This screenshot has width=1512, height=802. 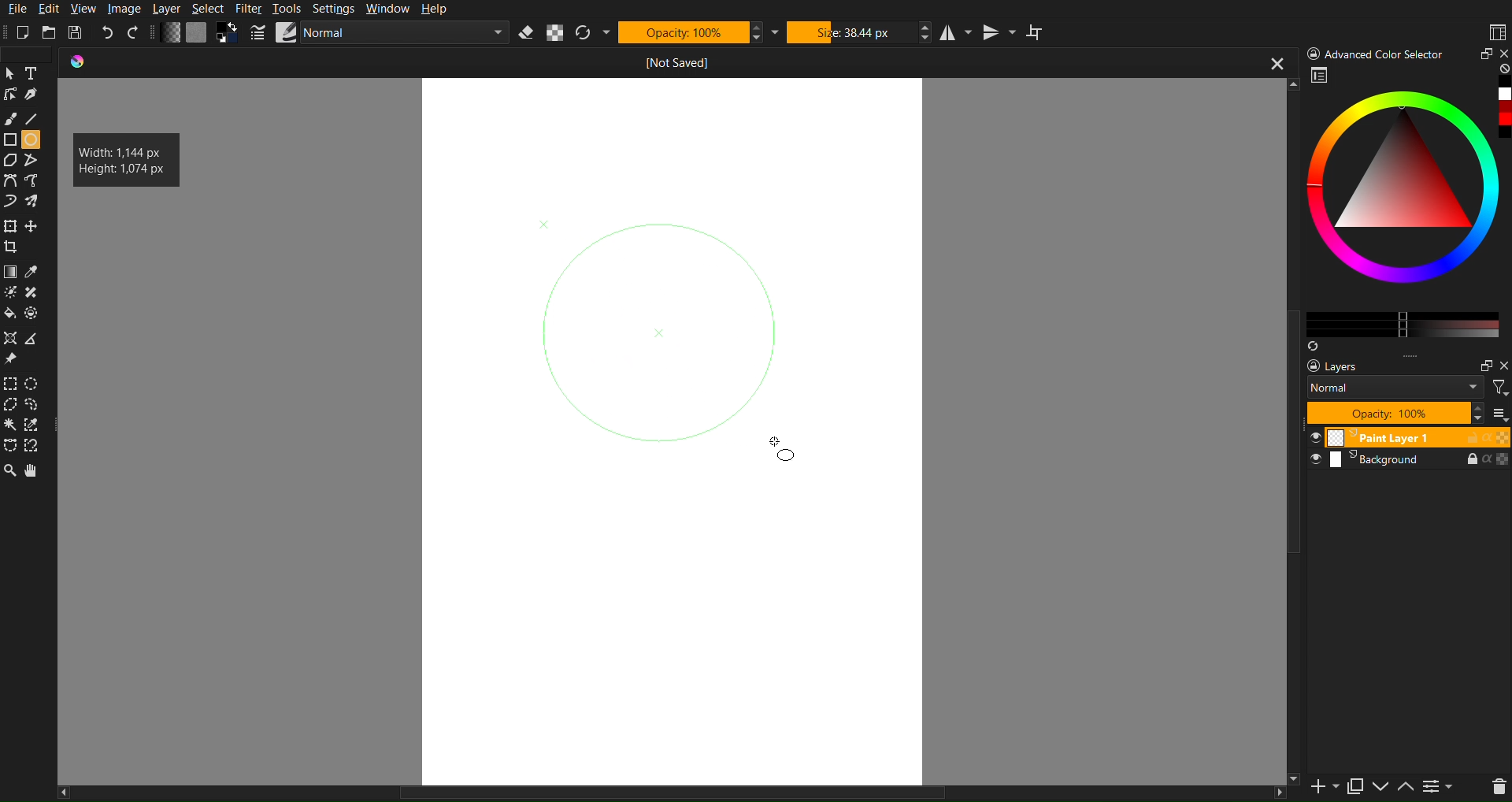 I want to click on Opacity, so click(x=683, y=33).